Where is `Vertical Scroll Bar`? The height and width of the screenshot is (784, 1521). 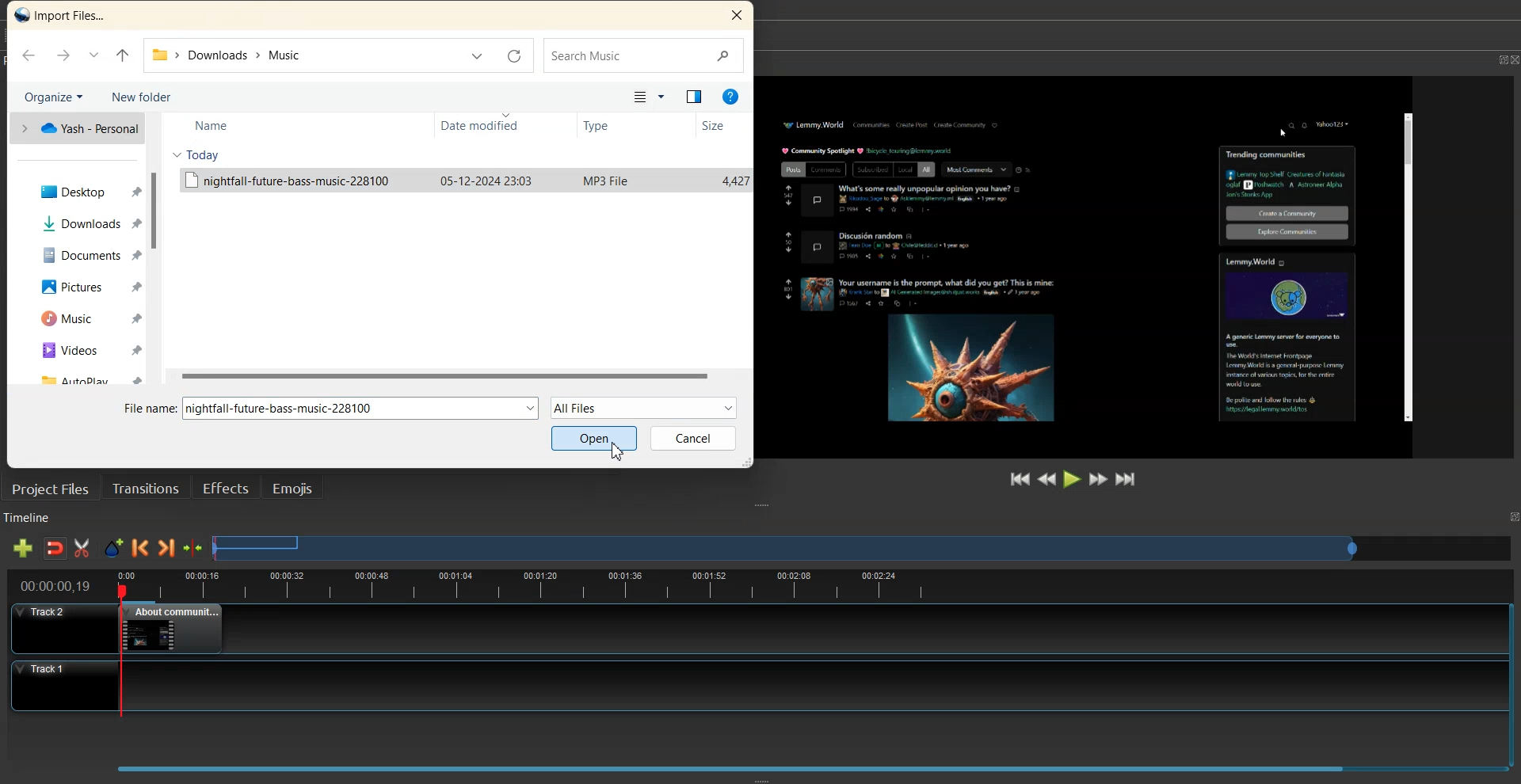
Vertical Scroll Bar is located at coordinates (1511, 678).